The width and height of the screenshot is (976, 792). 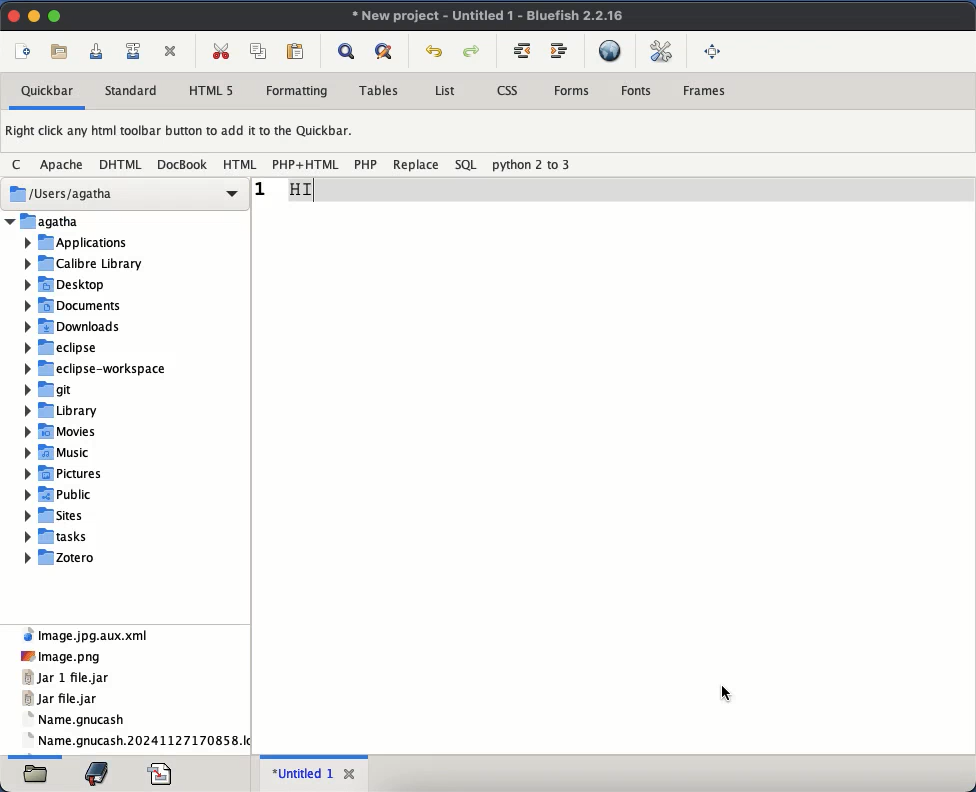 What do you see at coordinates (666, 47) in the screenshot?
I see `edit preference` at bounding box center [666, 47].